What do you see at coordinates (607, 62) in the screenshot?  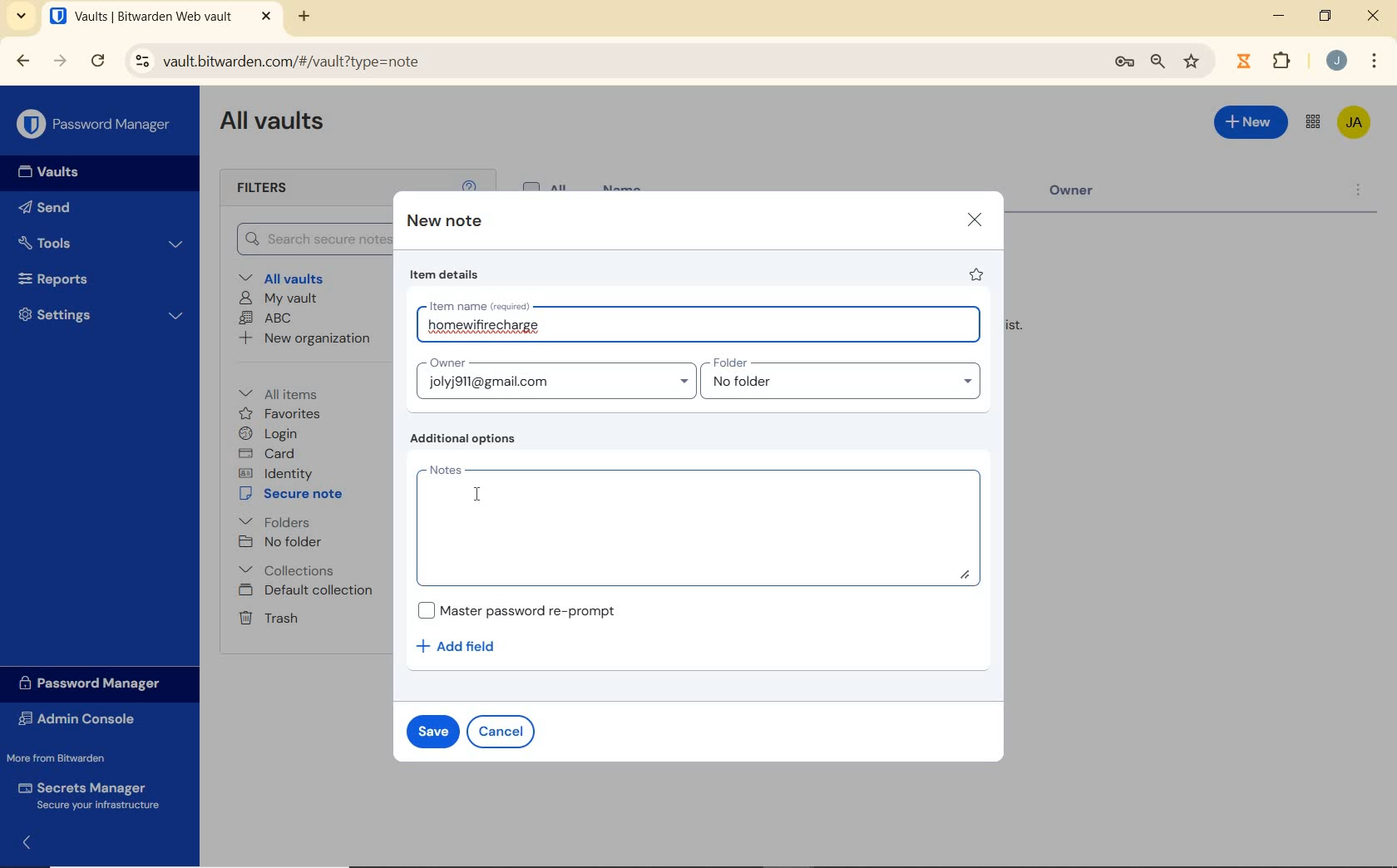 I see `address bar` at bounding box center [607, 62].